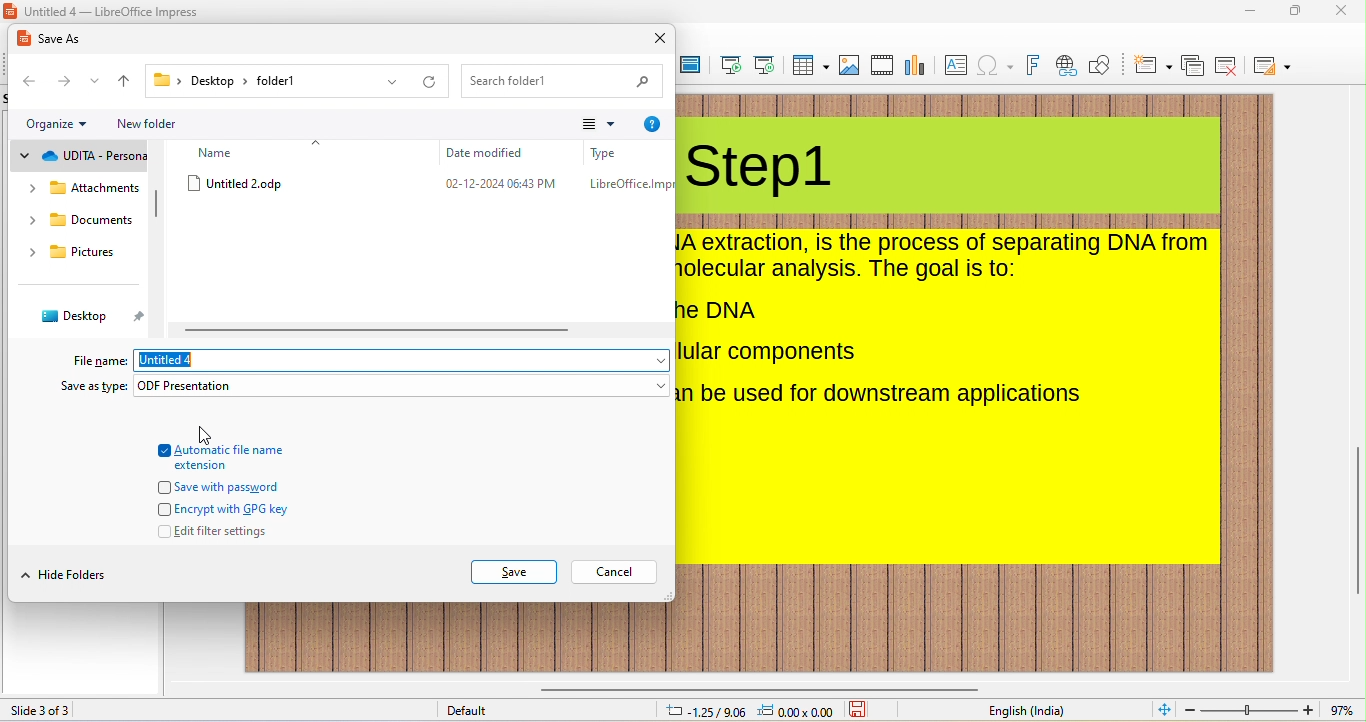 The width and height of the screenshot is (1366, 722). I want to click on table, so click(809, 66).